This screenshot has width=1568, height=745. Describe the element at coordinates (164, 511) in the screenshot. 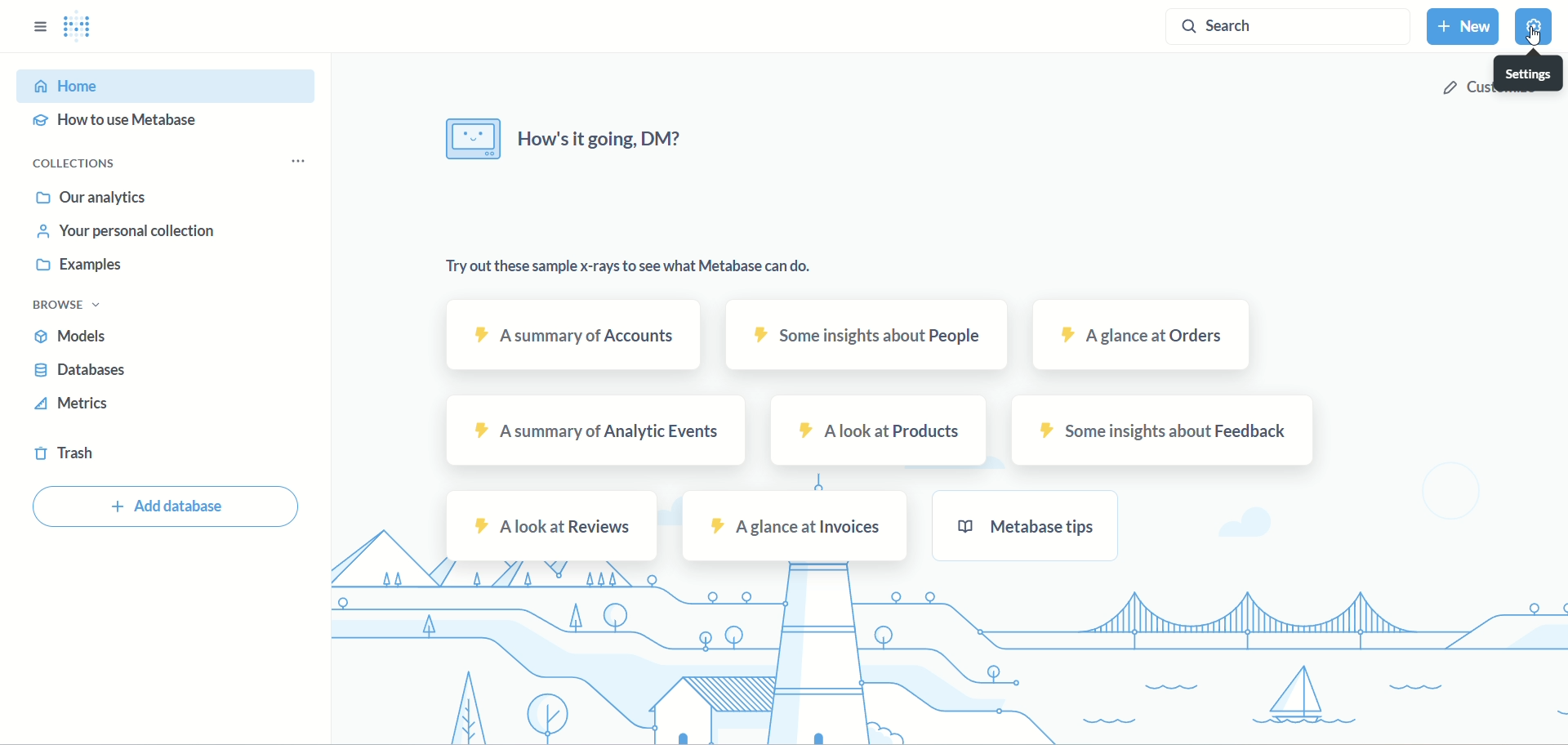

I see `add database` at that location.